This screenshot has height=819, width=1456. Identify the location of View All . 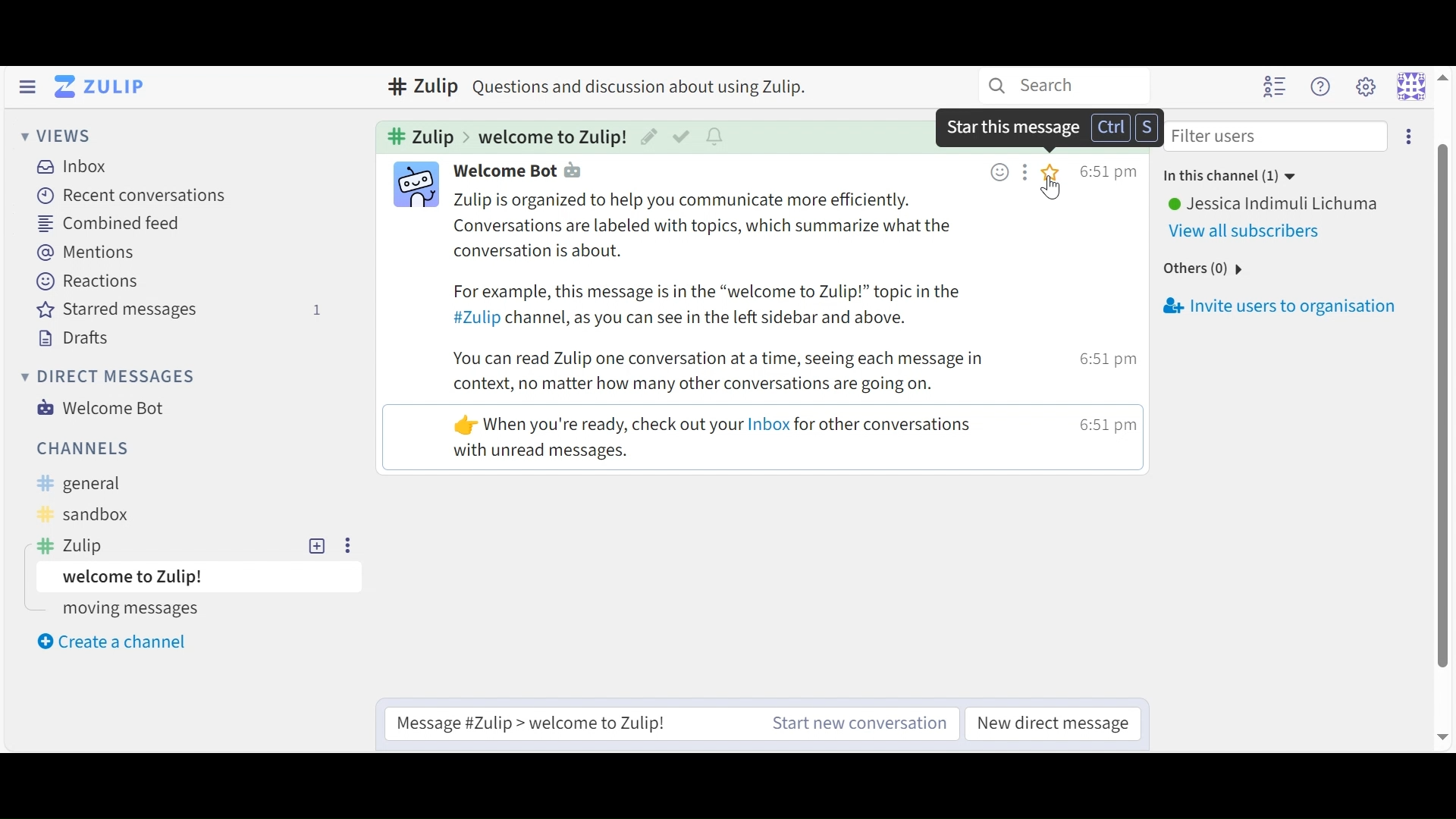
(1241, 231).